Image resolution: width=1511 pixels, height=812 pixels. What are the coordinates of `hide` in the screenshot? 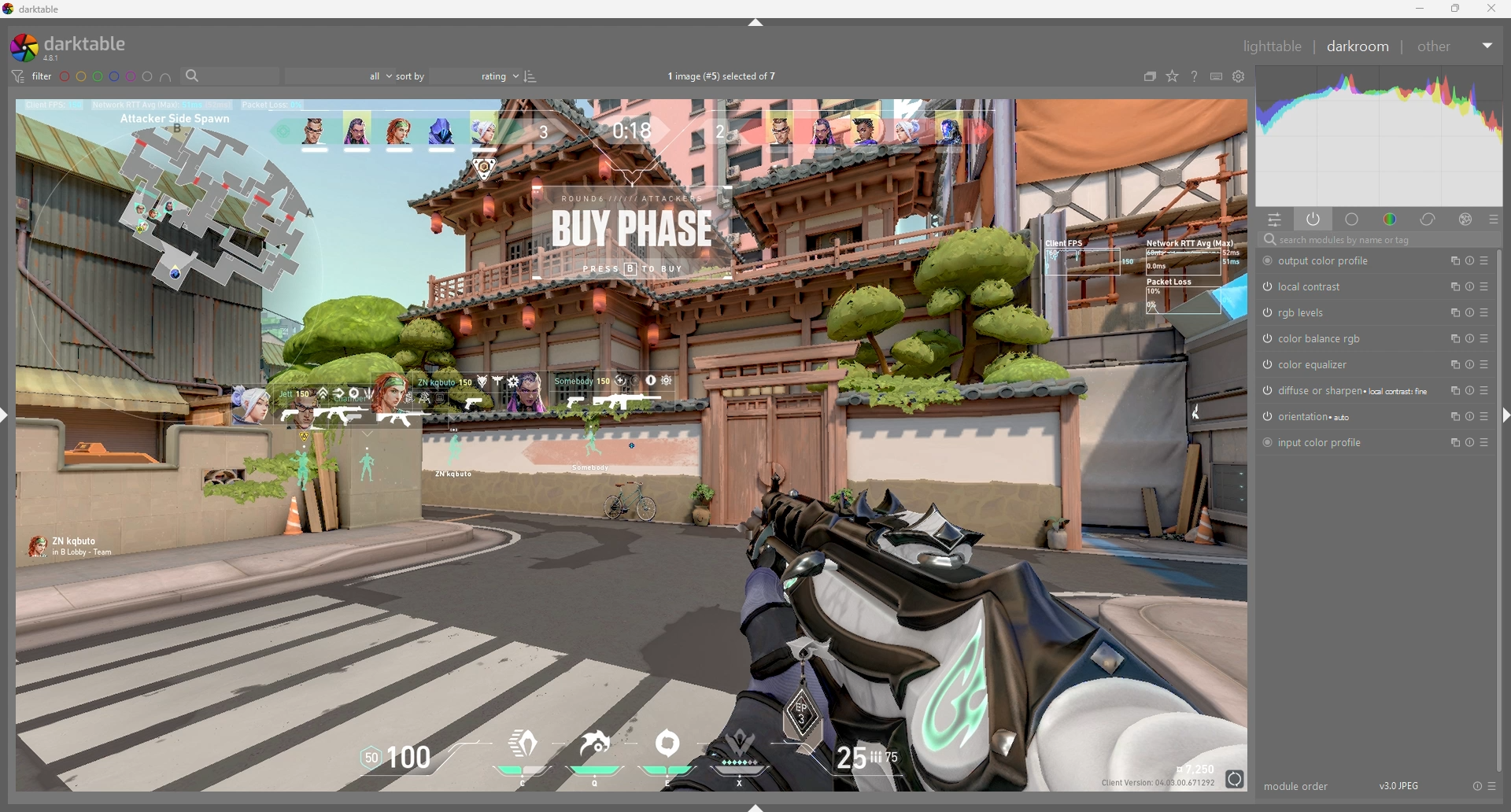 It's located at (757, 22).